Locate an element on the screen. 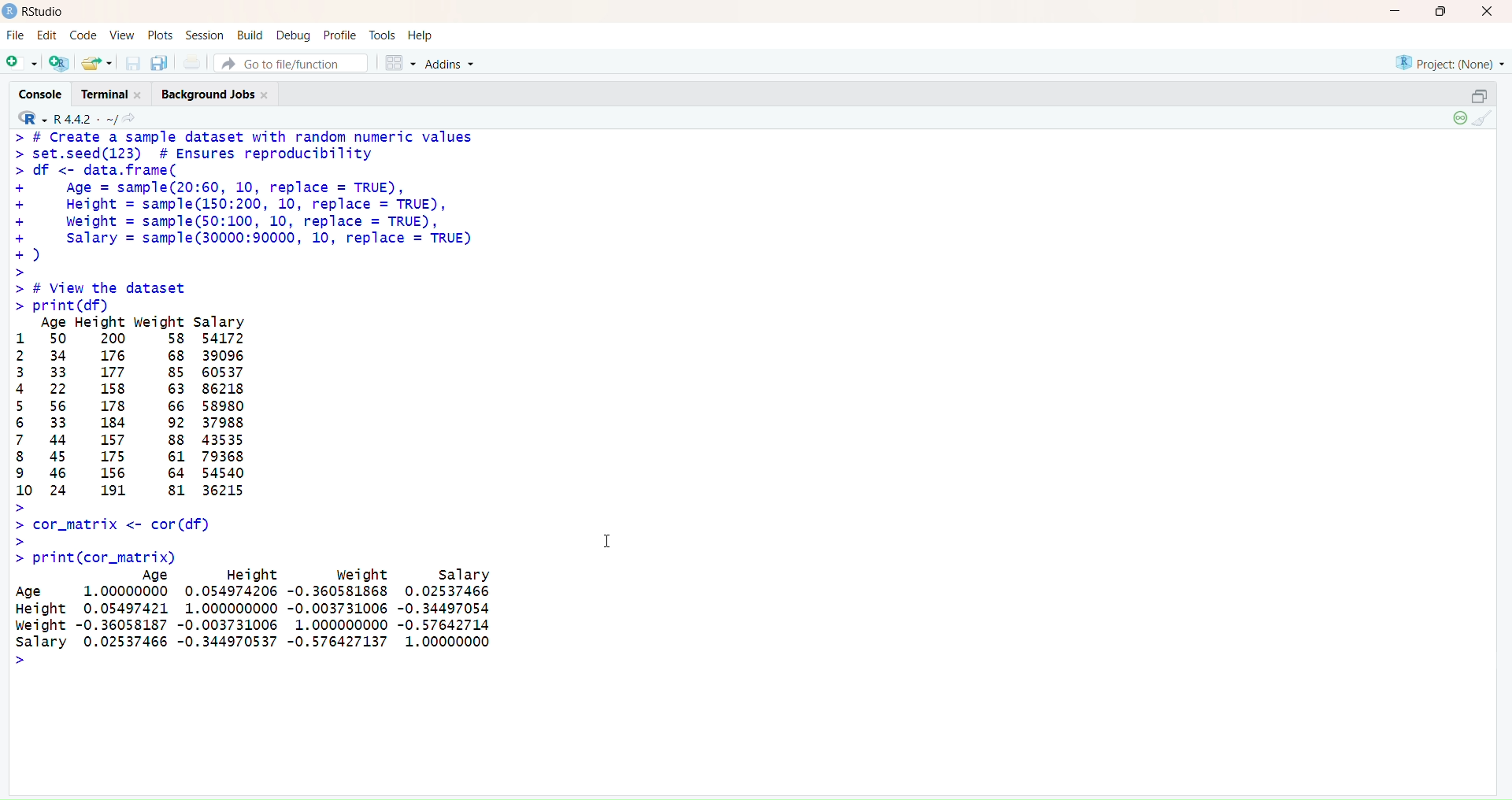 Image resolution: width=1512 pixels, height=800 pixels. Profile is located at coordinates (341, 35).